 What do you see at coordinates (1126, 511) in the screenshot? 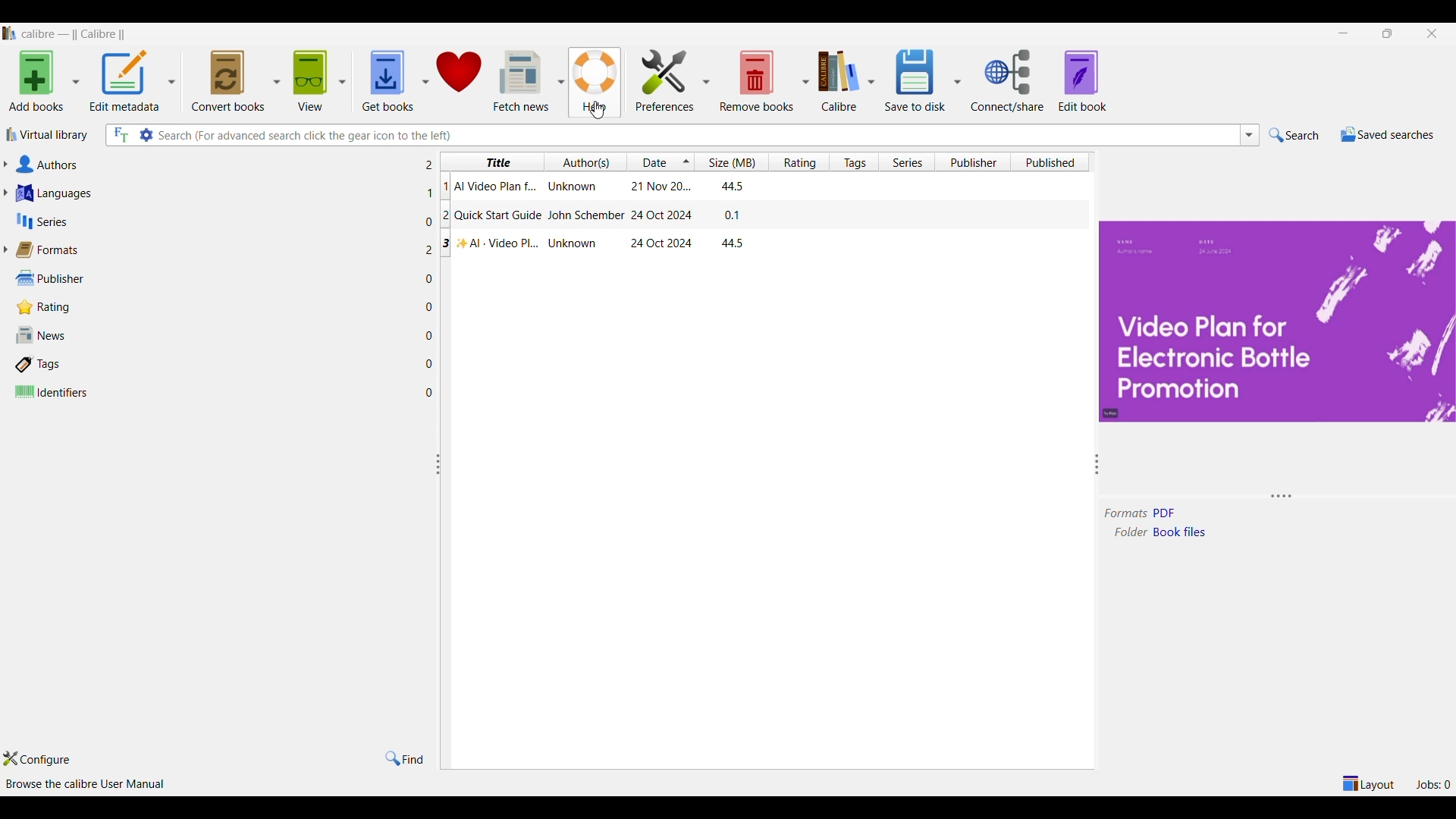
I see `formats` at bounding box center [1126, 511].